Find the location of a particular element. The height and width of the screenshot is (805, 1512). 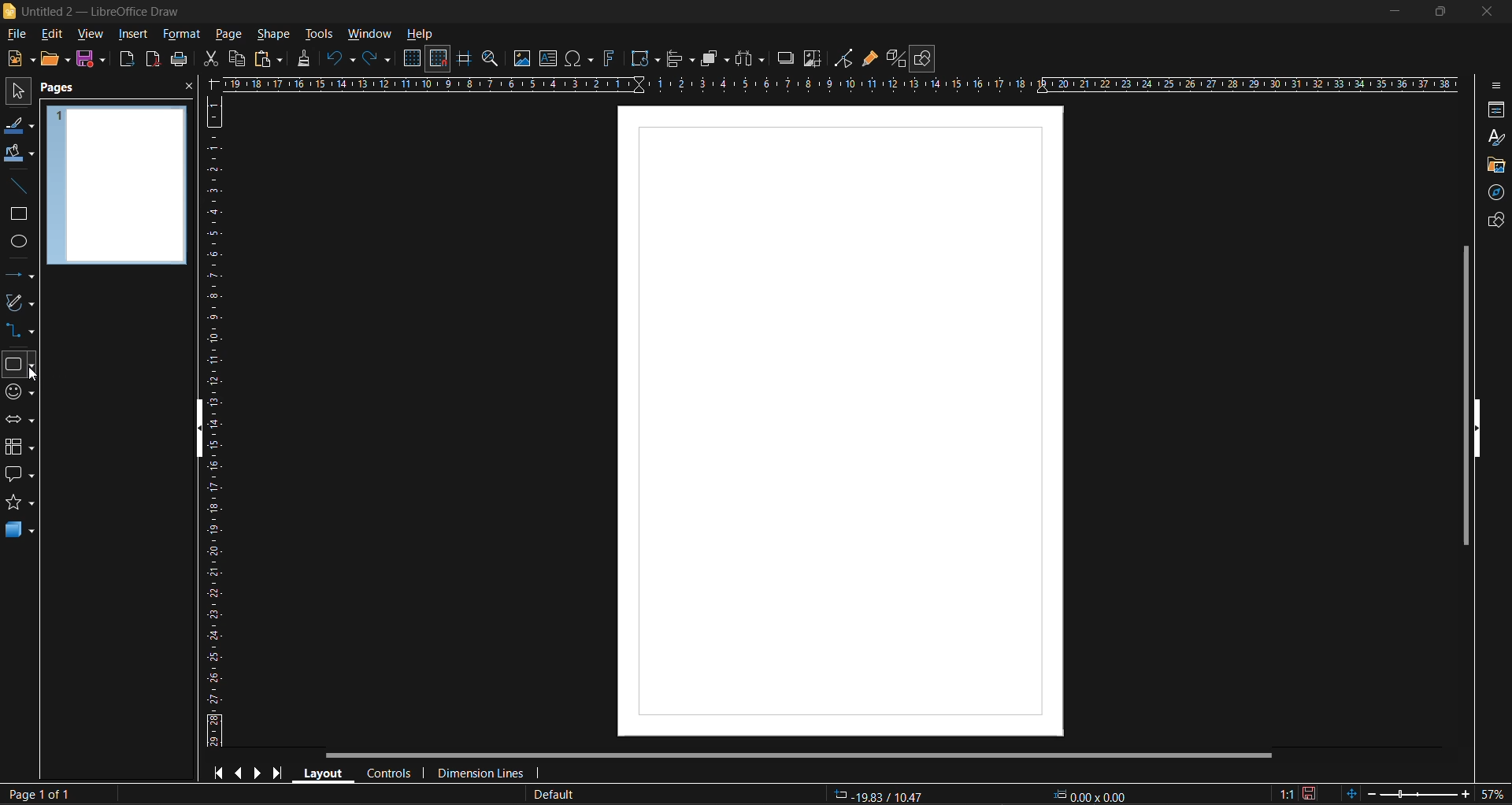

insert is located at coordinates (130, 34).